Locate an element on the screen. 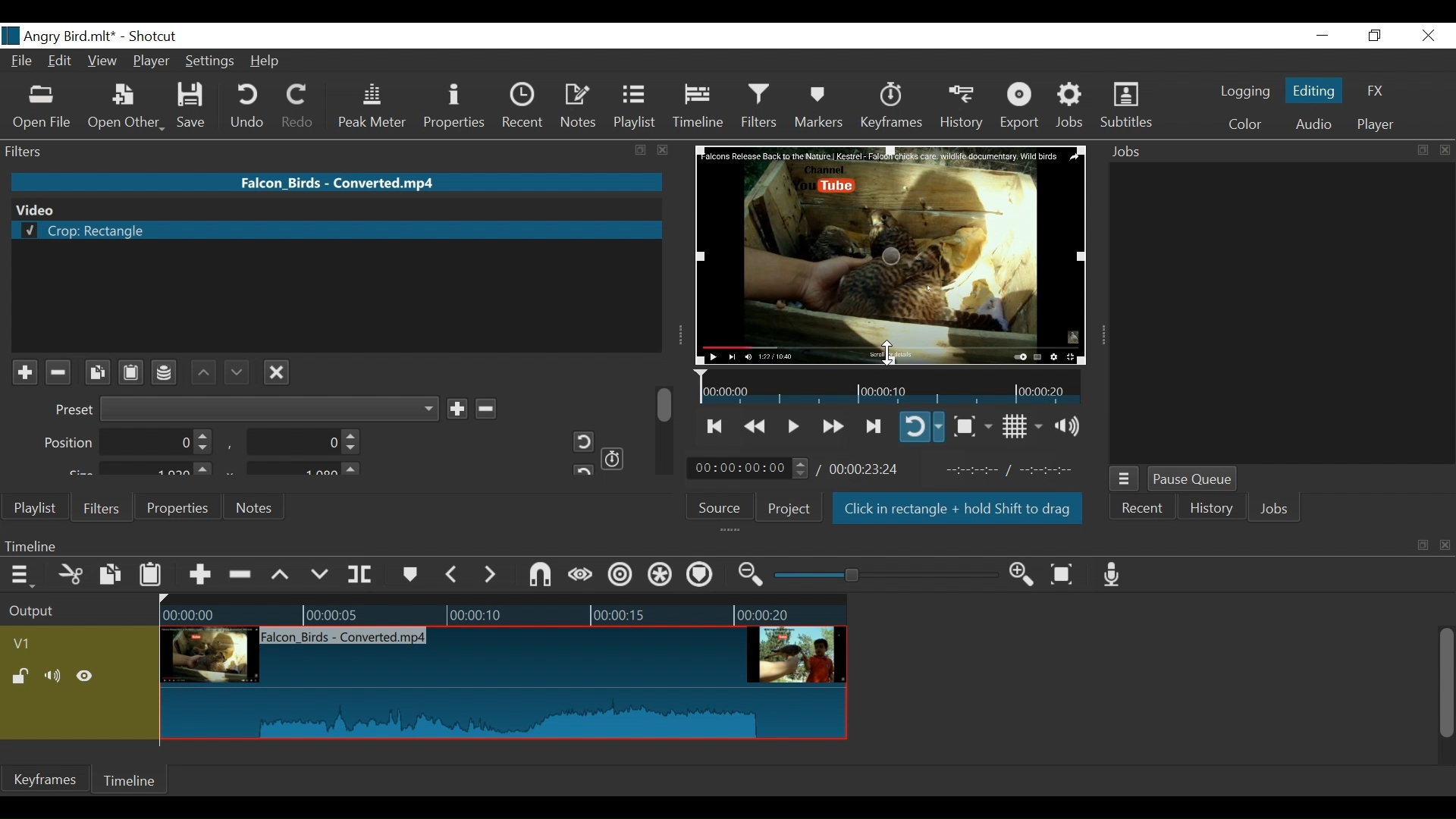 This screenshot has width=1456, height=819. Copy is located at coordinates (112, 577).